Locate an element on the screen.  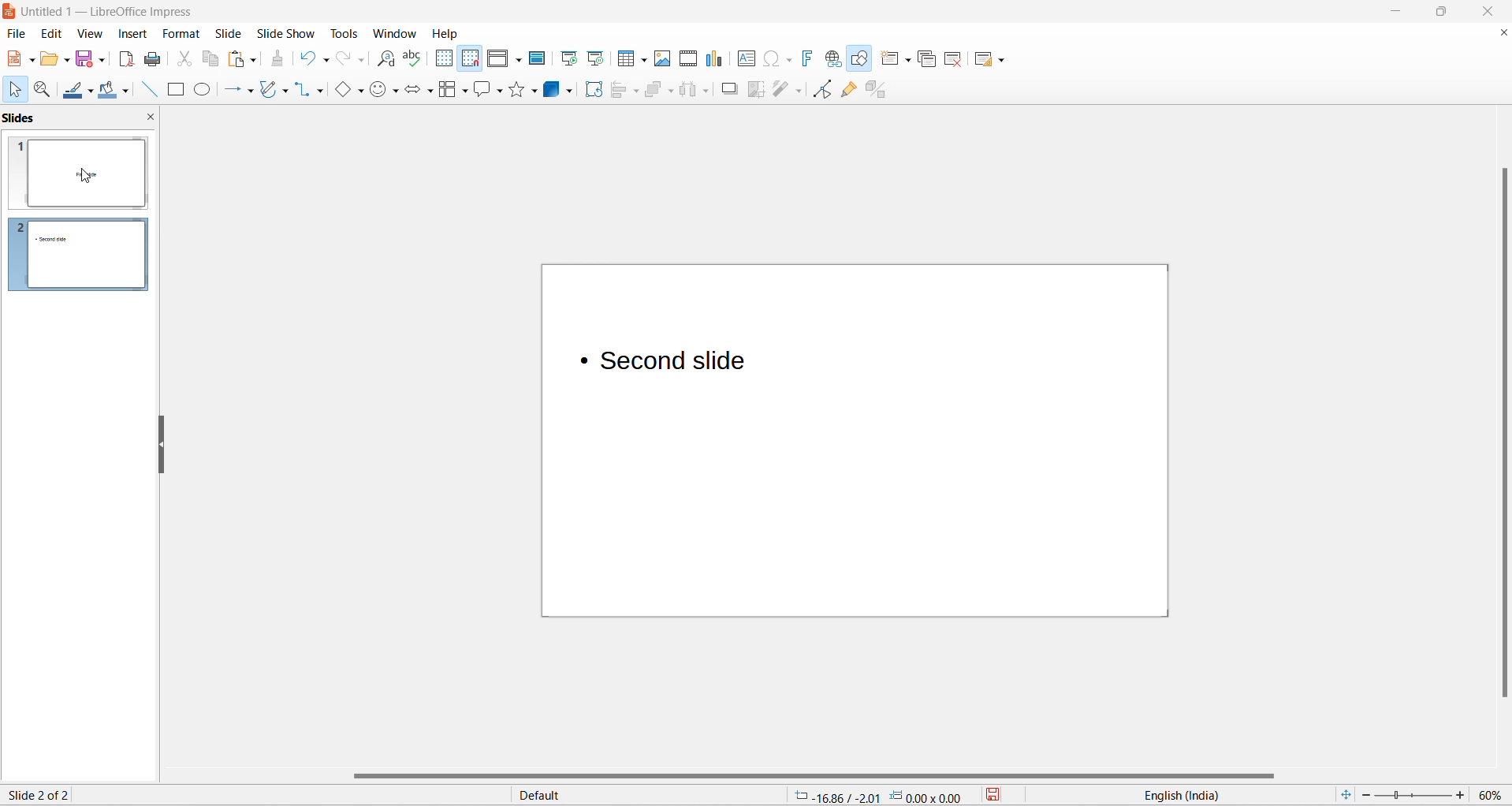
format is located at coordinates (183, 35).